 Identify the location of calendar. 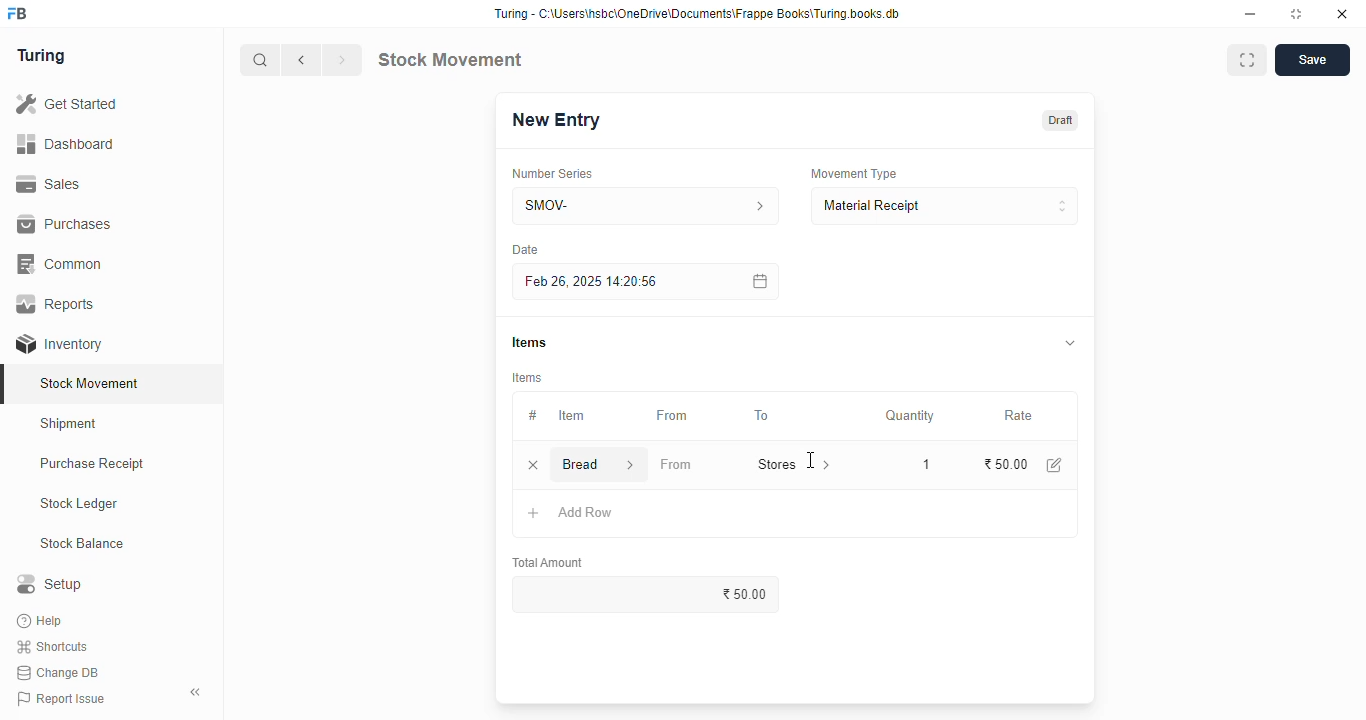
(758, 281).